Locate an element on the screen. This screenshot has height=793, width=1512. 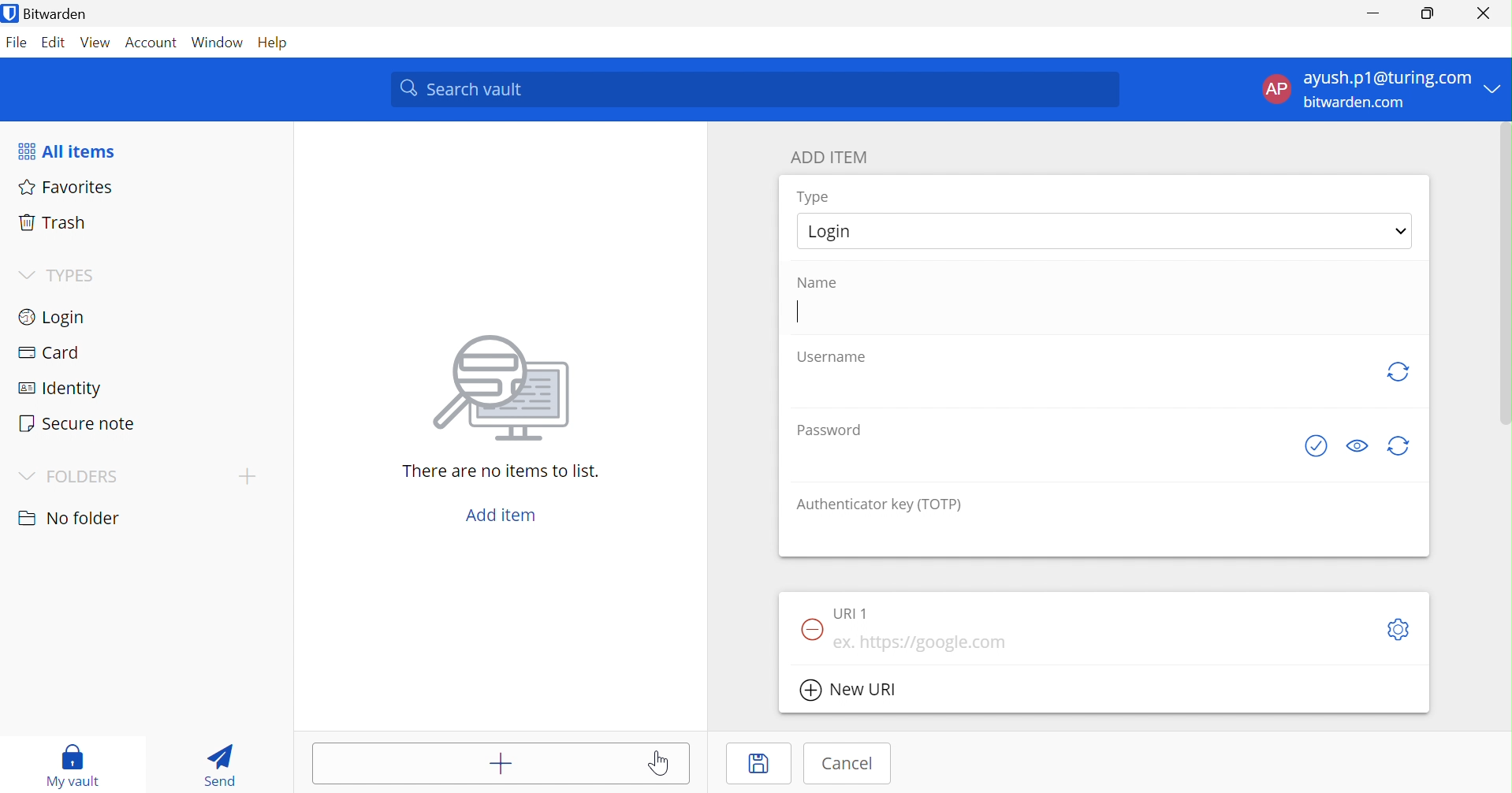
File is located at coordinates (17, 45).